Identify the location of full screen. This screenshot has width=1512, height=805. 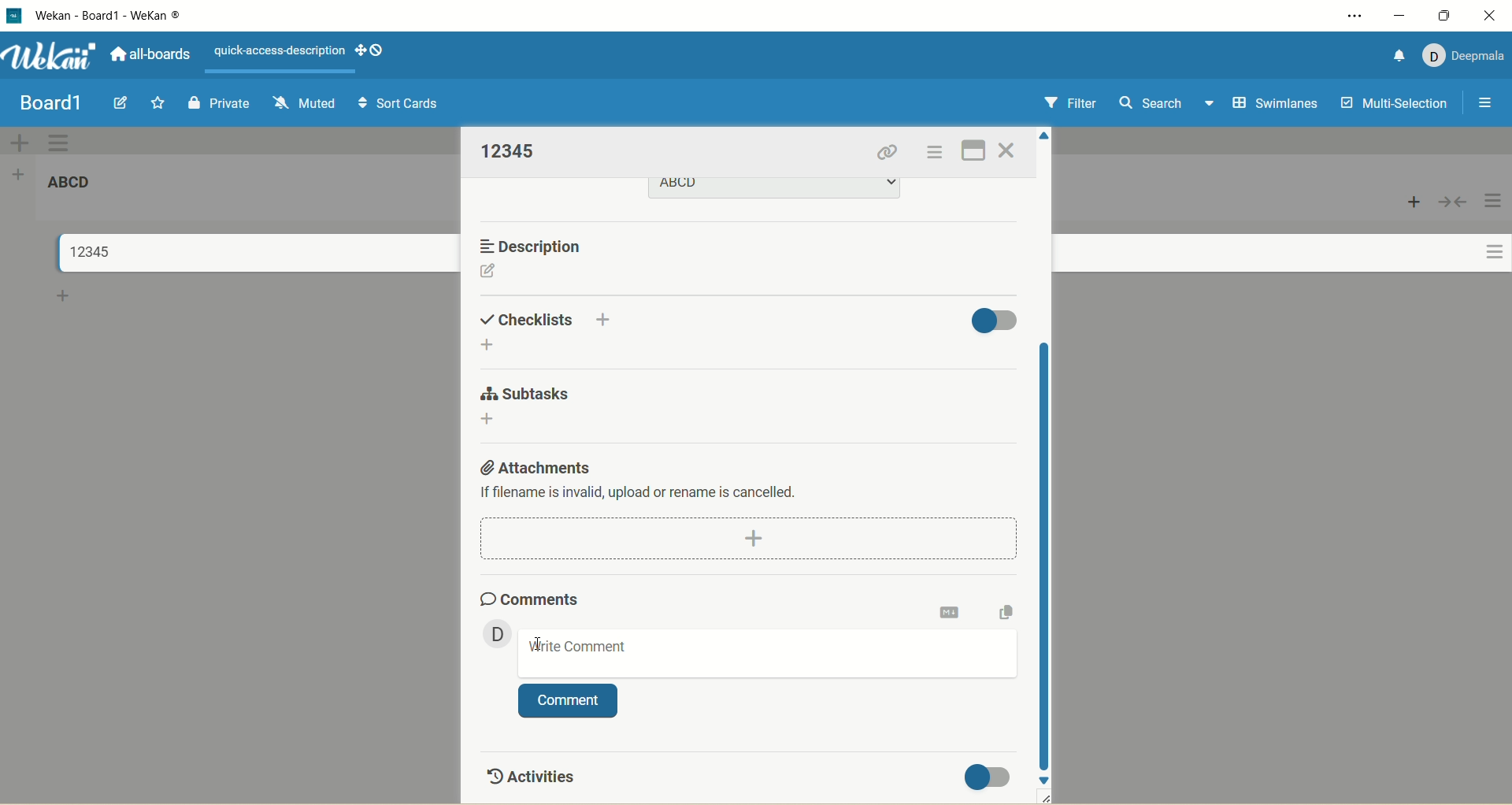
(976, 147).